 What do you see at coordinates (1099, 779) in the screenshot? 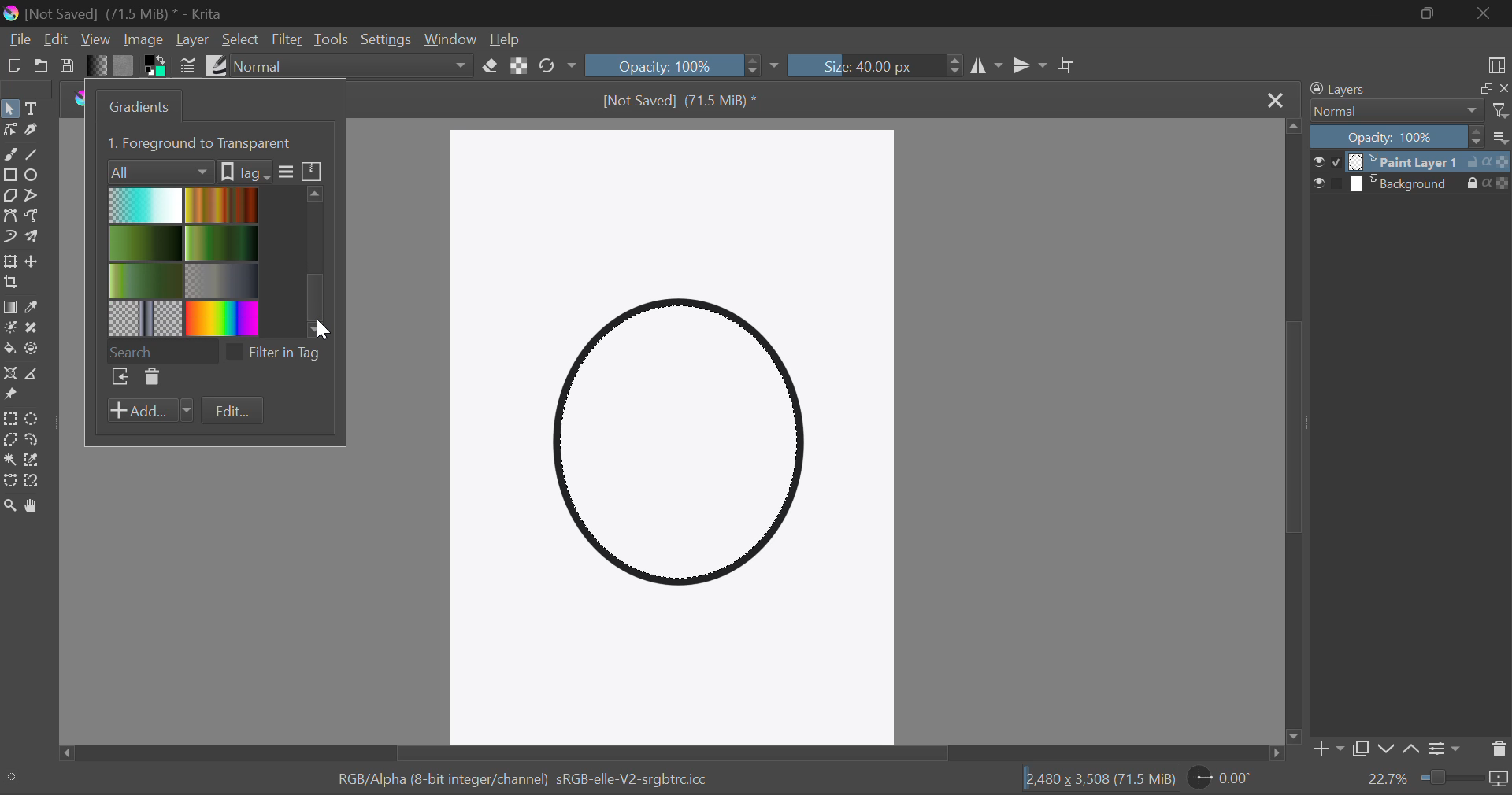
I see `12,480 x 3,508 (71.5 MiB)` at bounding box center [1099, 779].